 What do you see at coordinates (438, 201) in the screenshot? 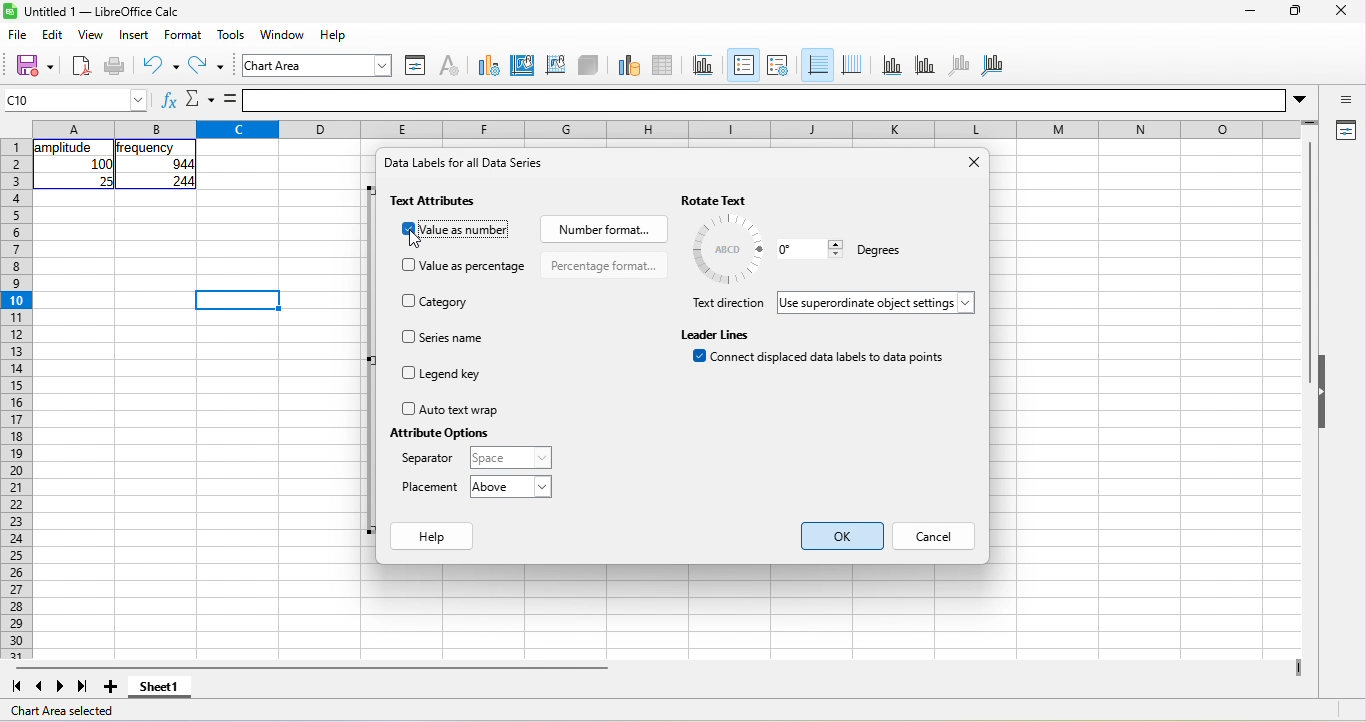
I see `text attributes` at bounding box center [438, 201].